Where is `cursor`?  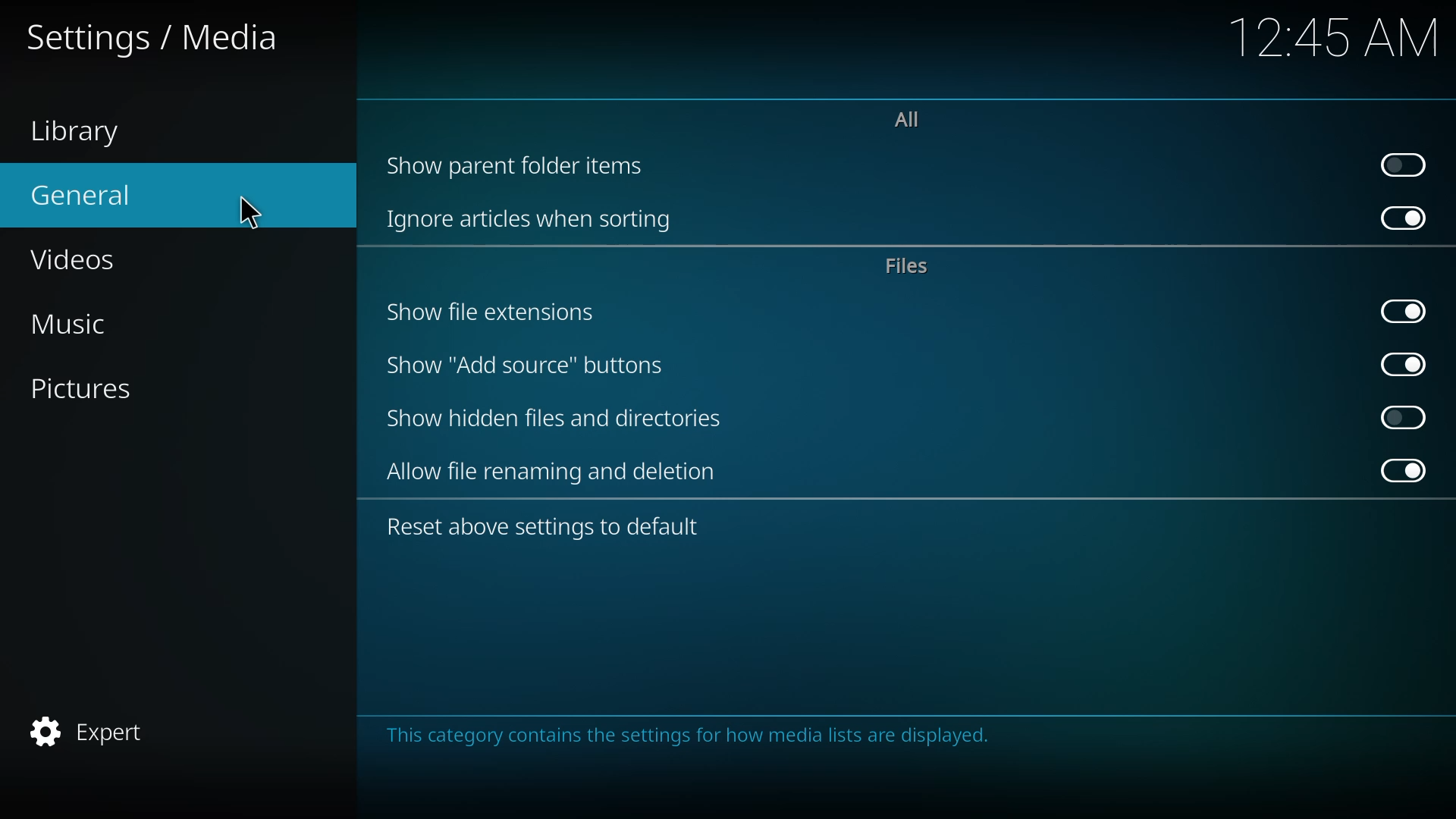
cursor is located at coordinates (251, 212).